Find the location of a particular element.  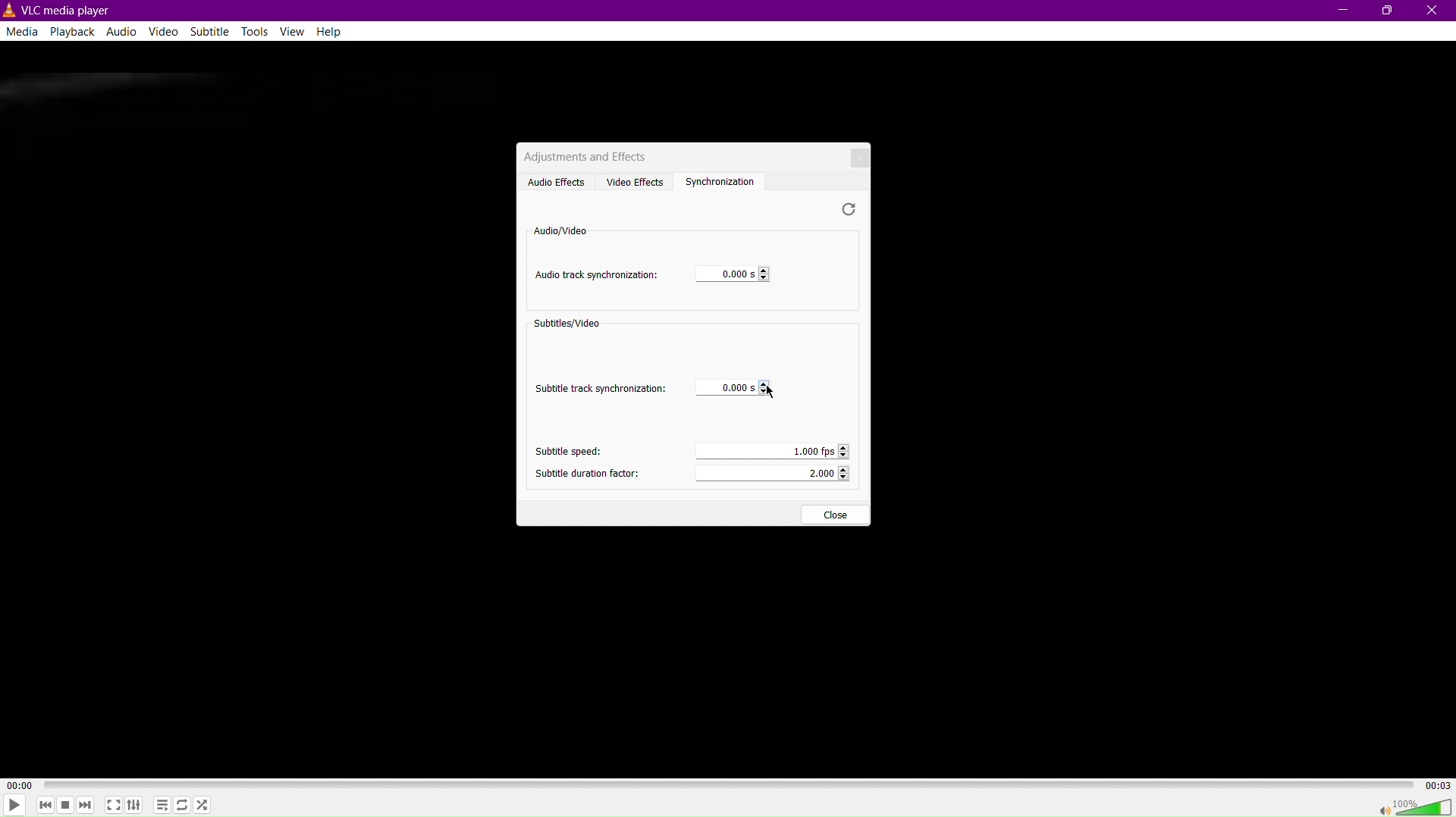

Video is located at coordinates (162, 34).